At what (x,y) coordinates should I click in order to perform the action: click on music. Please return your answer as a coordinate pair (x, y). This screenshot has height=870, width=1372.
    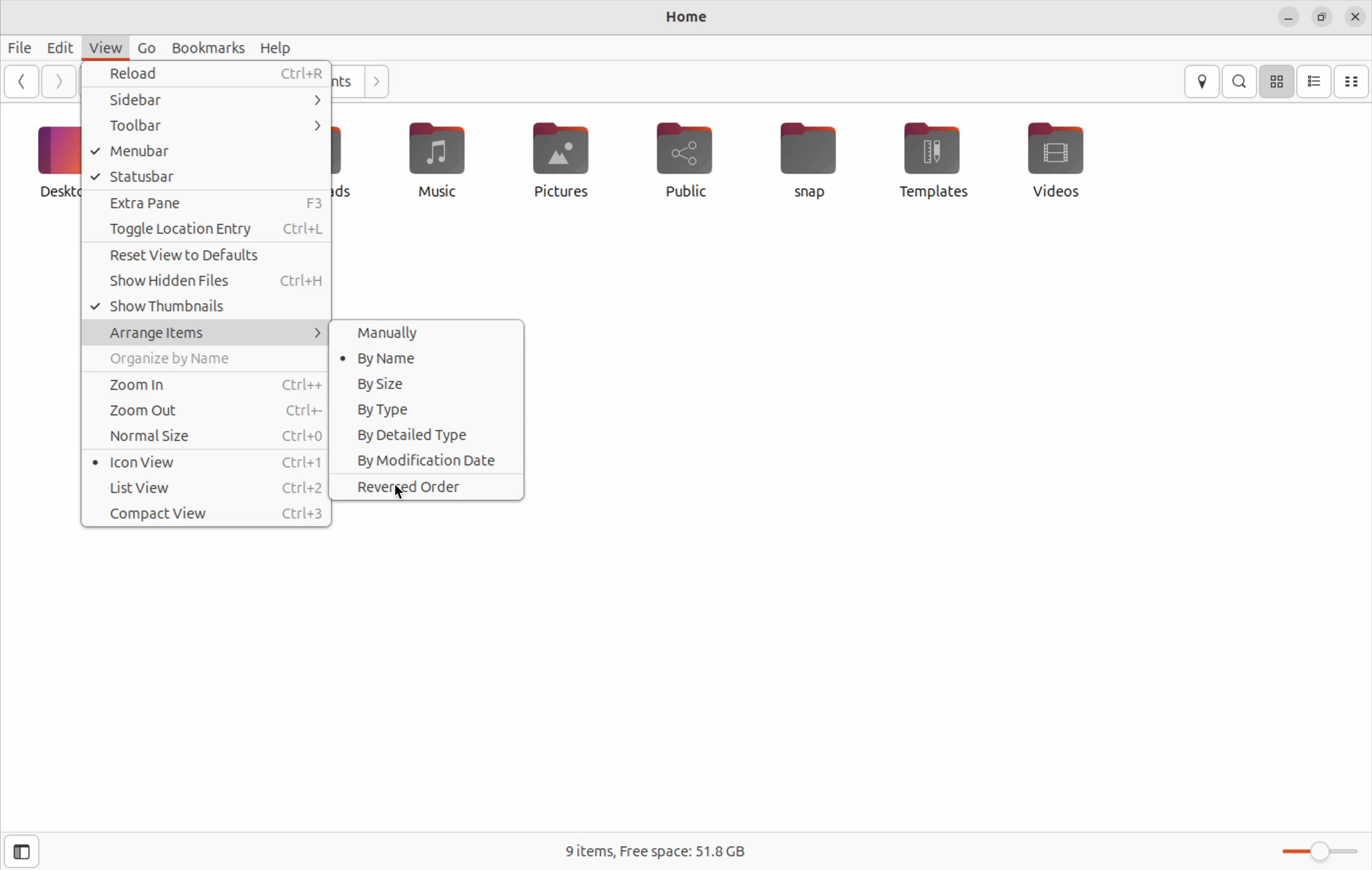
    Looking at the image, I should click on (440, 162).